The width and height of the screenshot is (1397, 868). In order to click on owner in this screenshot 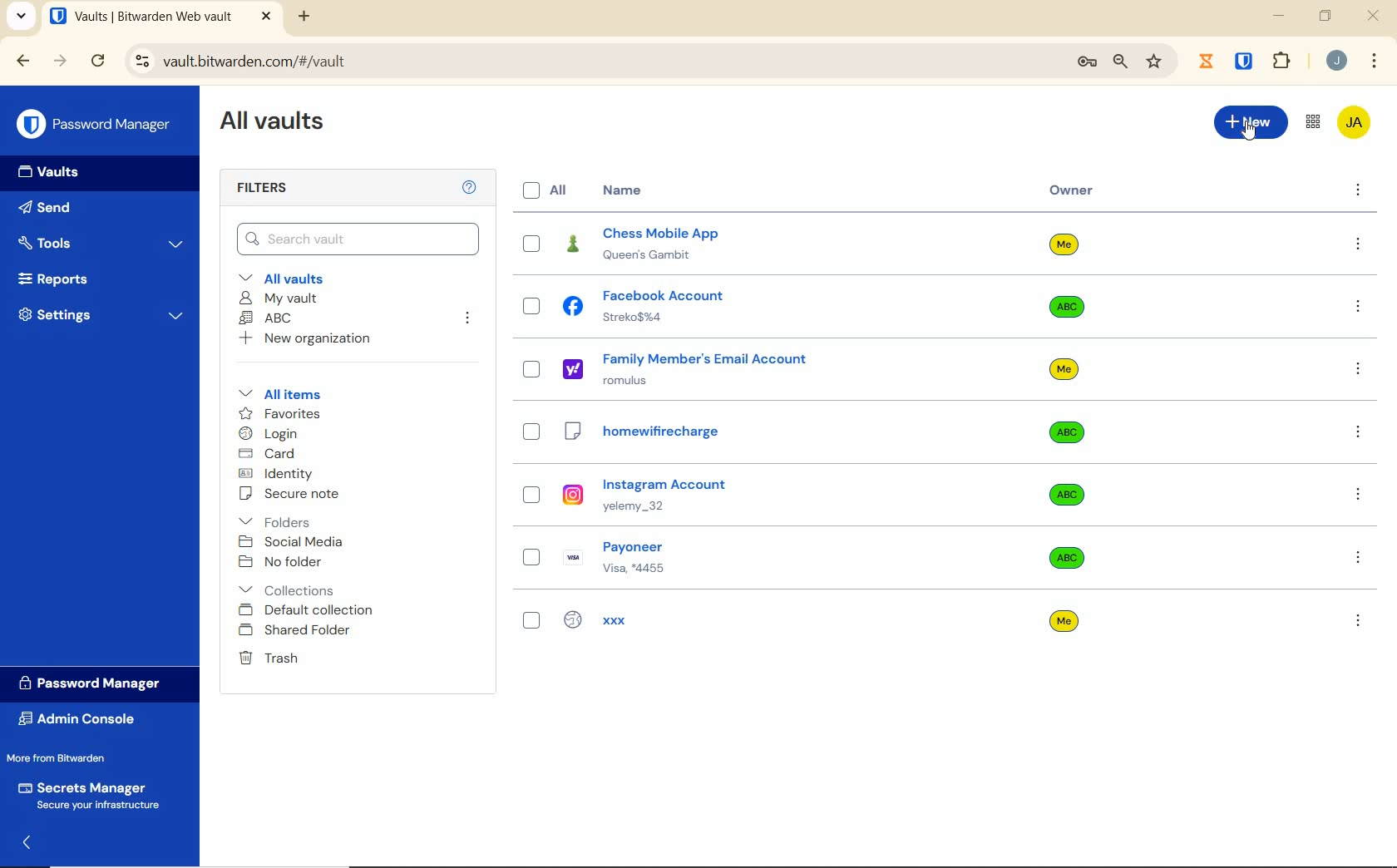, I will do `click(1072, 192)`.